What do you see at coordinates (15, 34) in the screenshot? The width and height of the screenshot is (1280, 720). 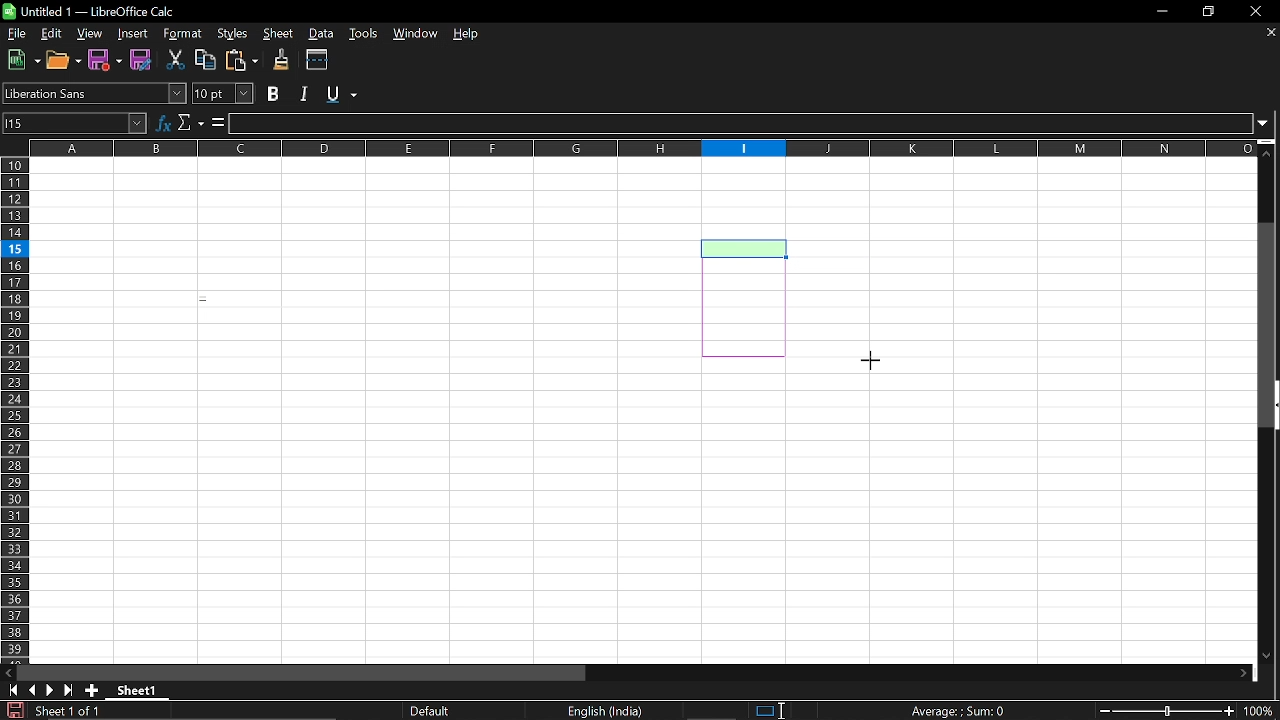 I see `File` at bounding box center [15, 34].